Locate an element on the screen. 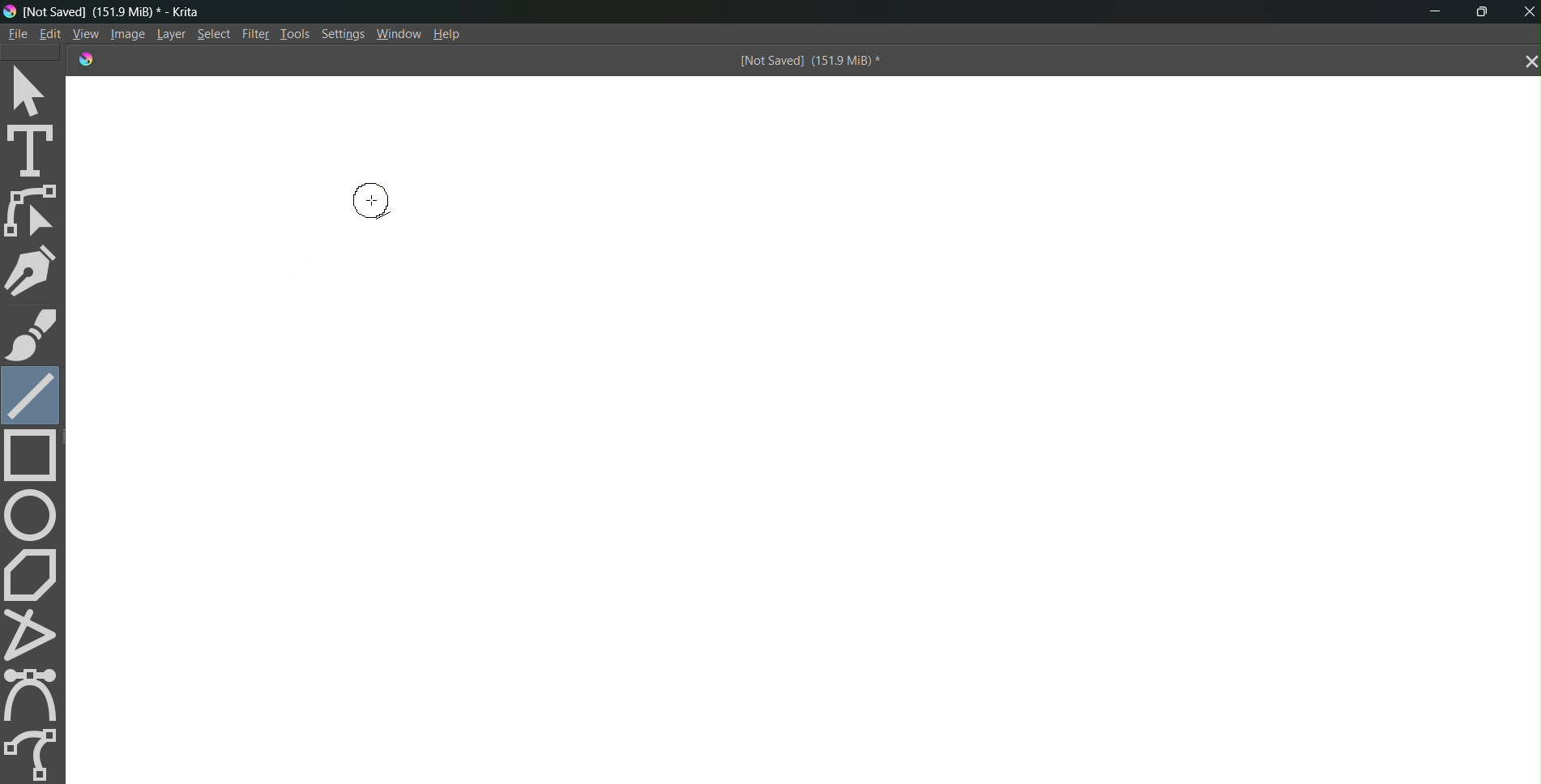  Select is located at coordinates (214, 35).